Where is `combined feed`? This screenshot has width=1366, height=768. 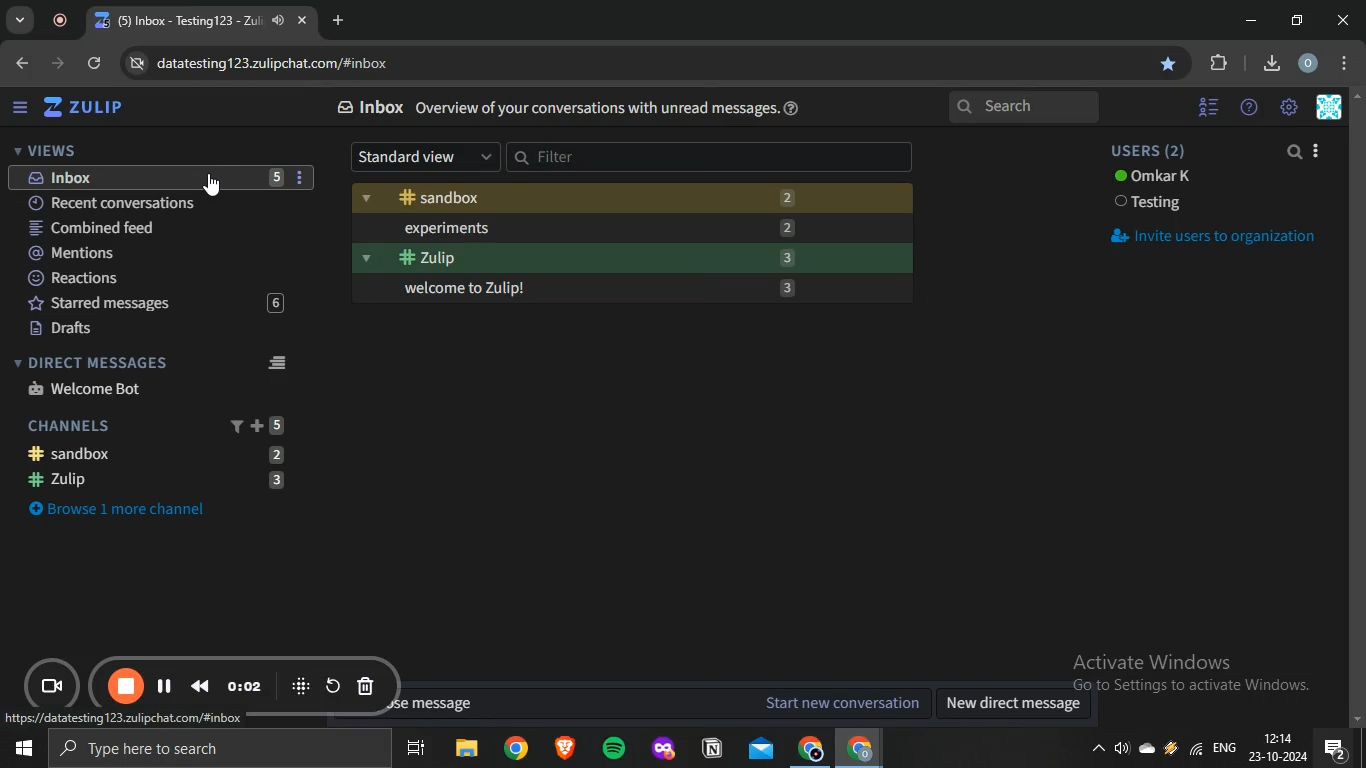
combined feed is located at coordinates (155, 229).